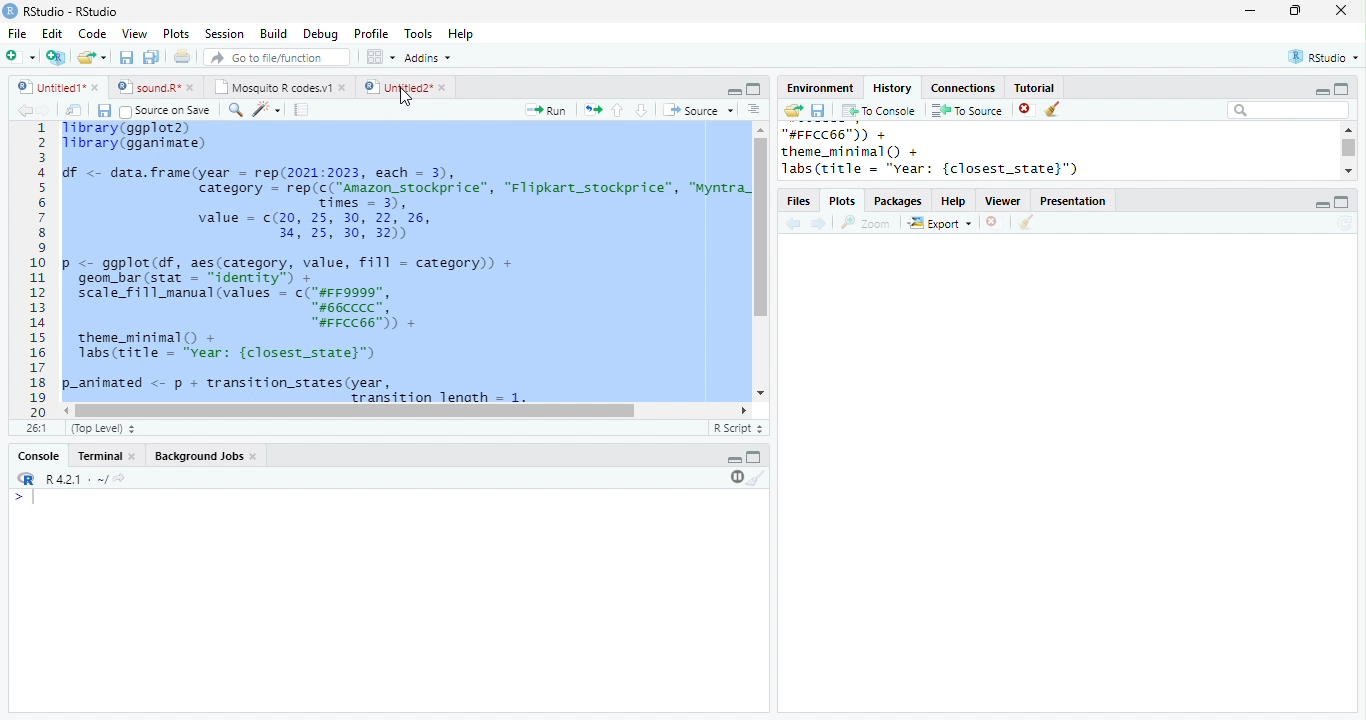  What do you see at coordinates (321, 35) in the screenshot?
I see `Debug` at bounding box center [321, 35].